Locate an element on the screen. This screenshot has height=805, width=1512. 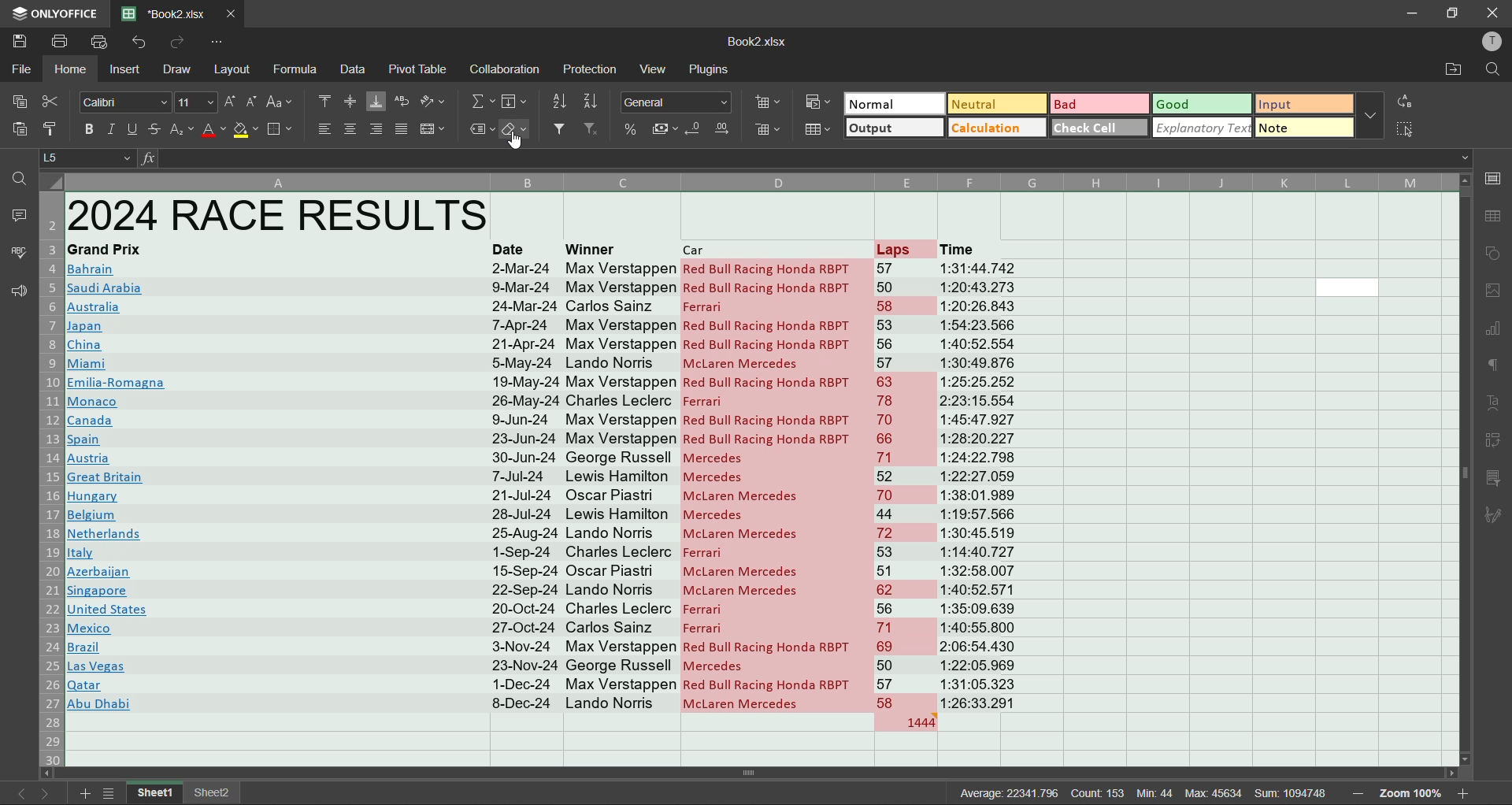
sort ascending is located at coordinates (558, 102).